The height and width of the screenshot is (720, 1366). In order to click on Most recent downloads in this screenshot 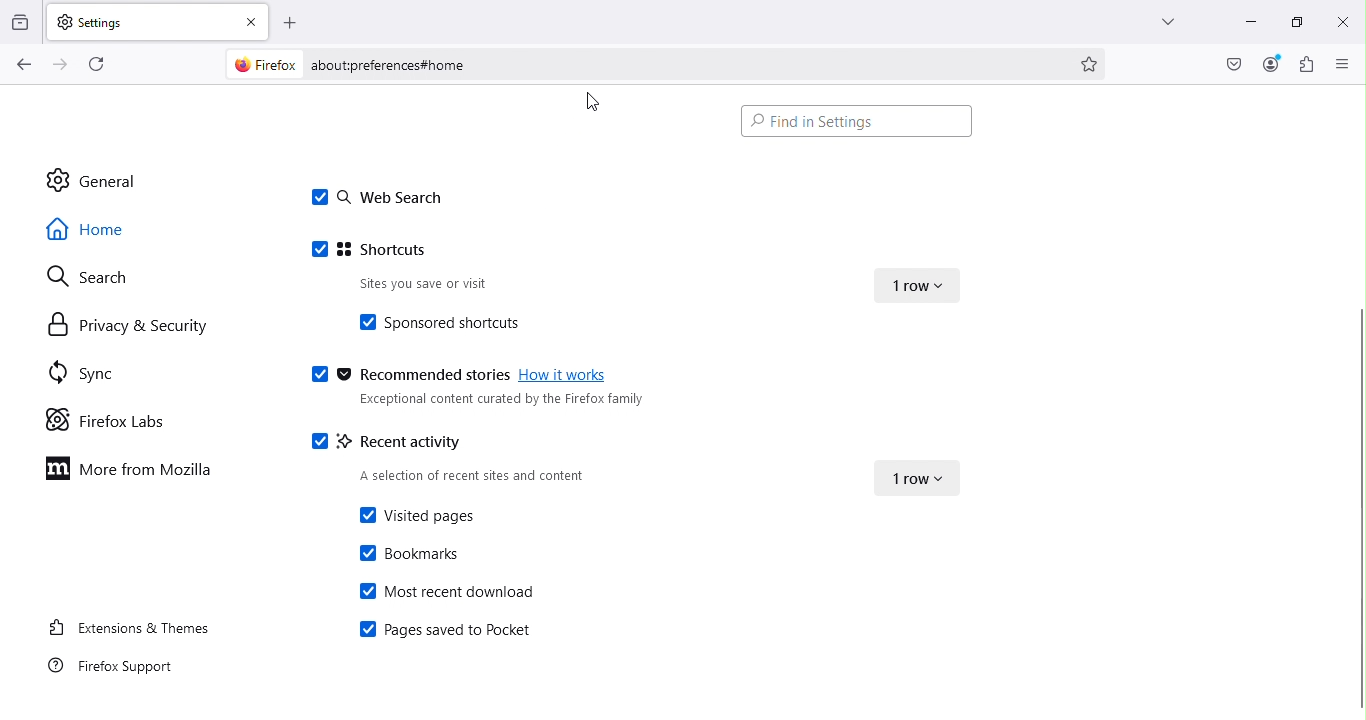, I will do `click(450, 590)`.